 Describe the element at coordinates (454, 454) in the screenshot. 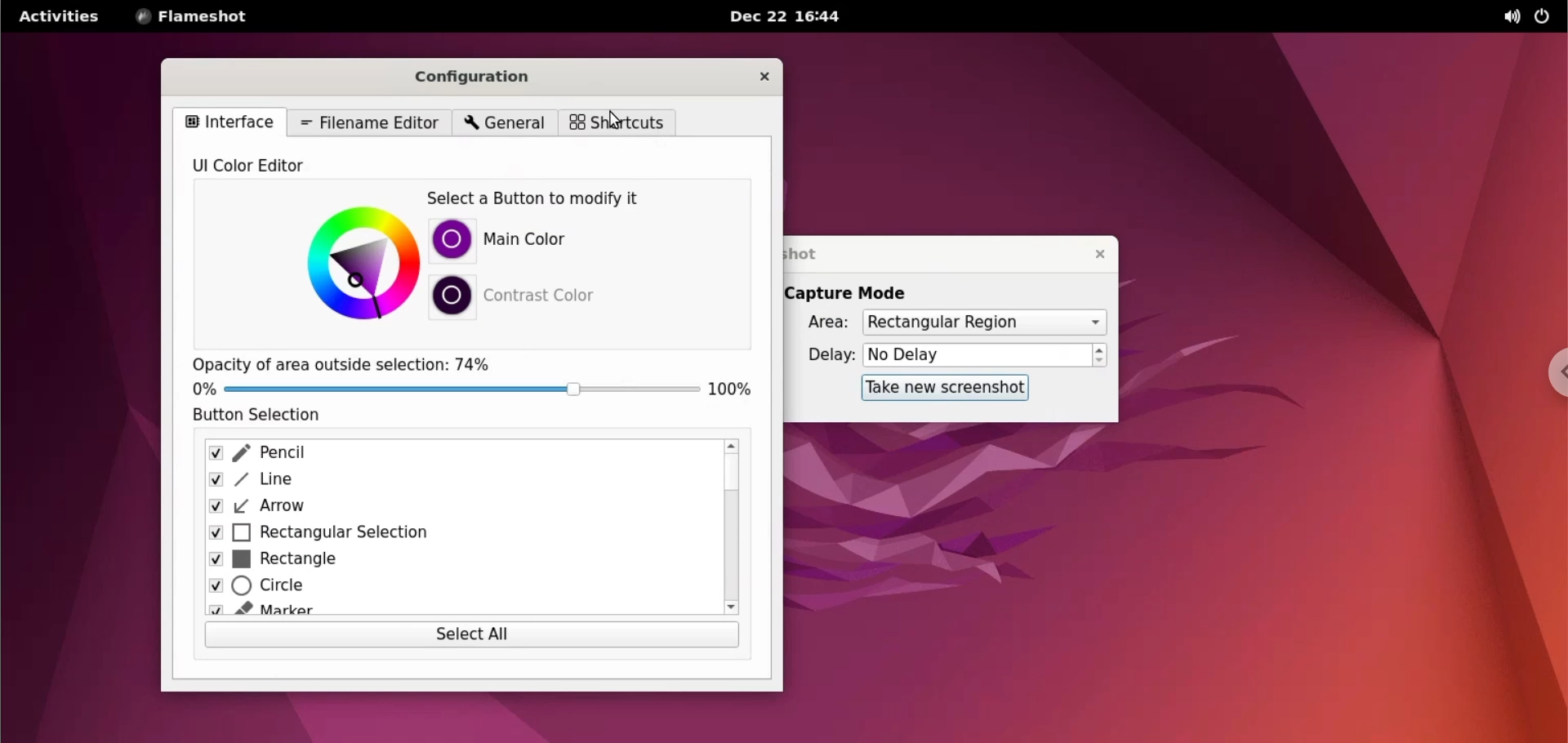

I see `pencil checkbox` at that location.